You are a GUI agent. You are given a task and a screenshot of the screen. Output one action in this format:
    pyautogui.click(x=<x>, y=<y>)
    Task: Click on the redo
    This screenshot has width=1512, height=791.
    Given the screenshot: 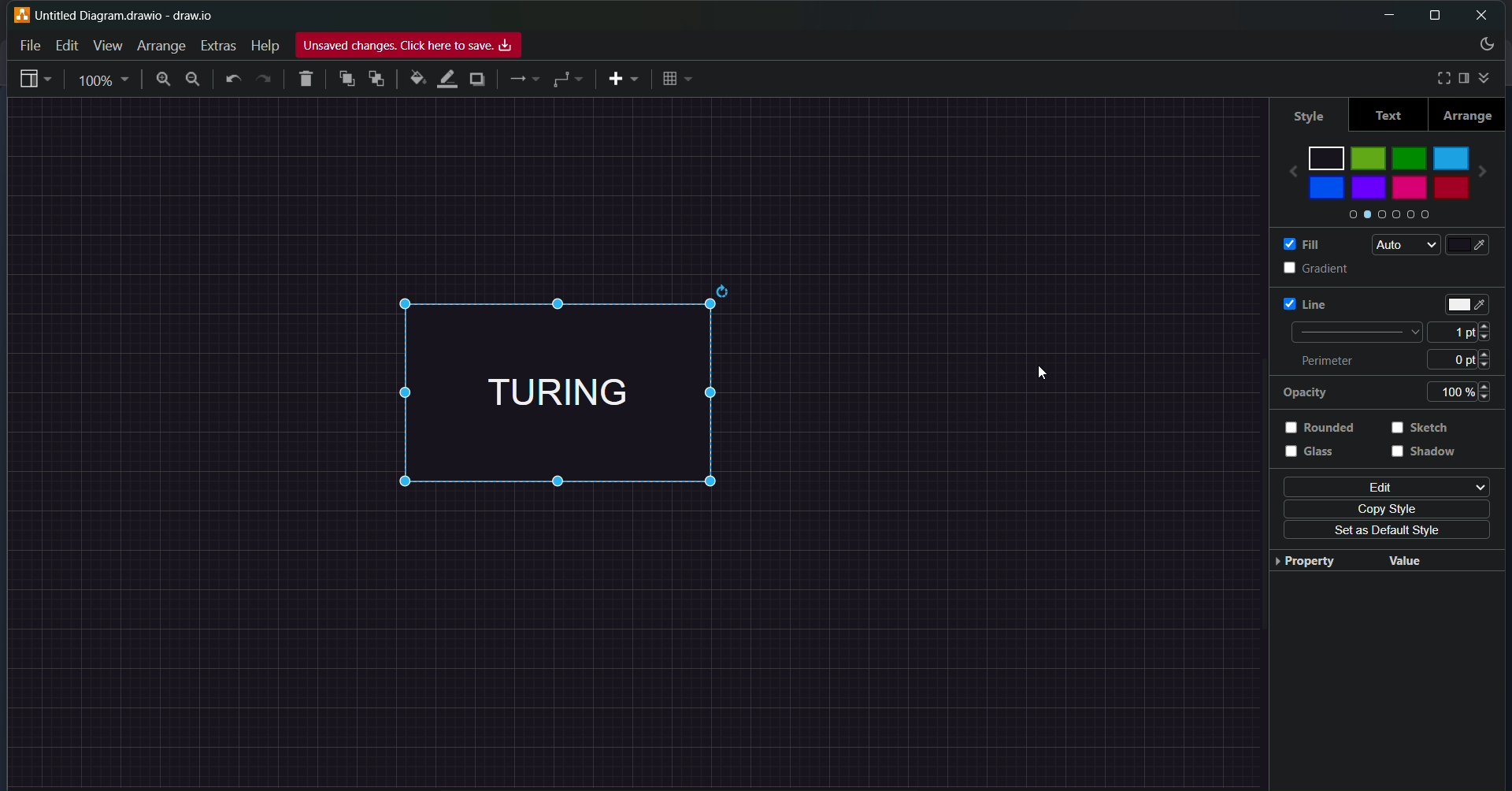 What is the action you would take?
    pyautogui.click(x=265, y=79)
    